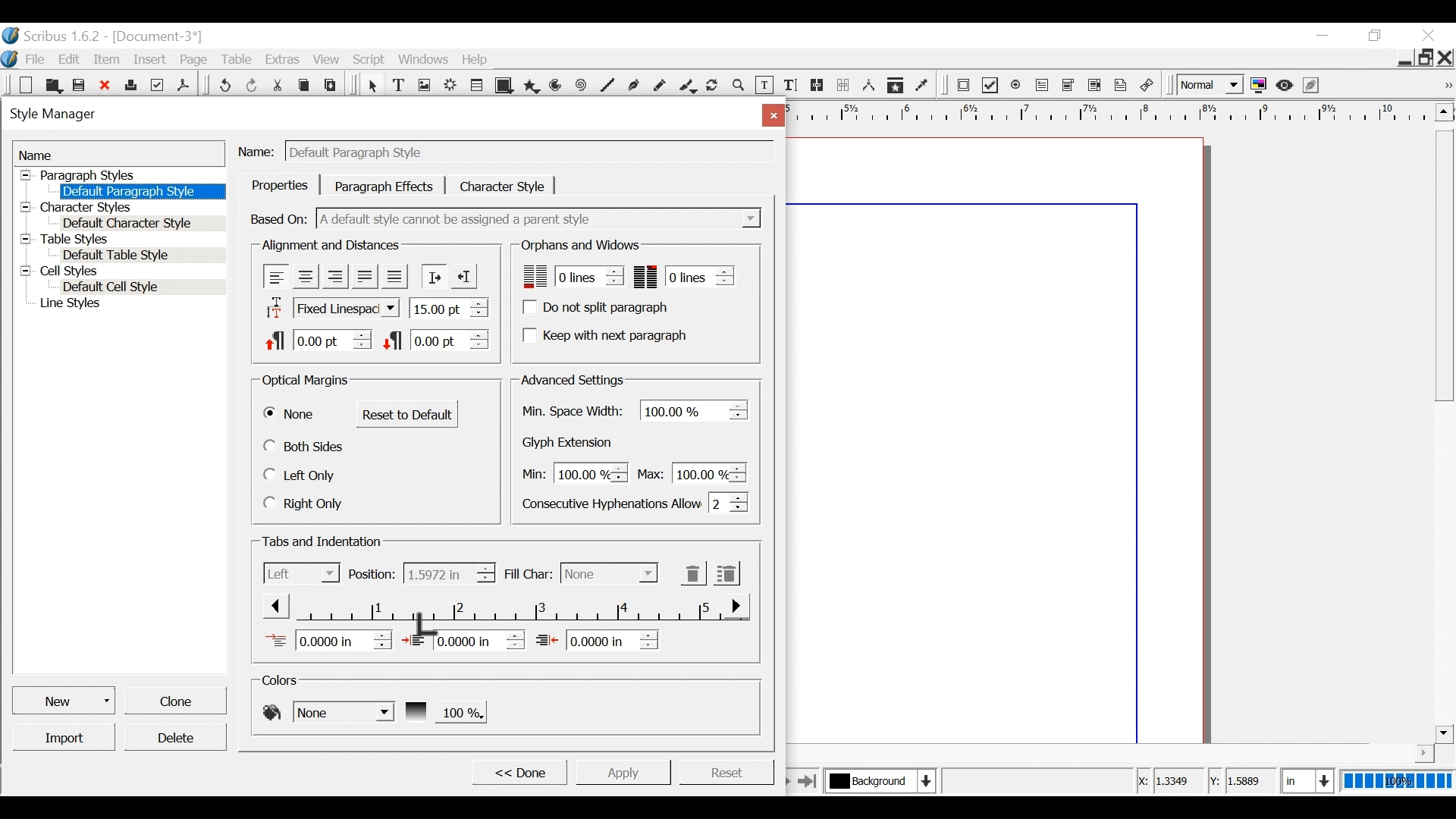 The height and width of the screenshot is (819, 1456). I want to click on PDF Push Button, so click(963, 84).